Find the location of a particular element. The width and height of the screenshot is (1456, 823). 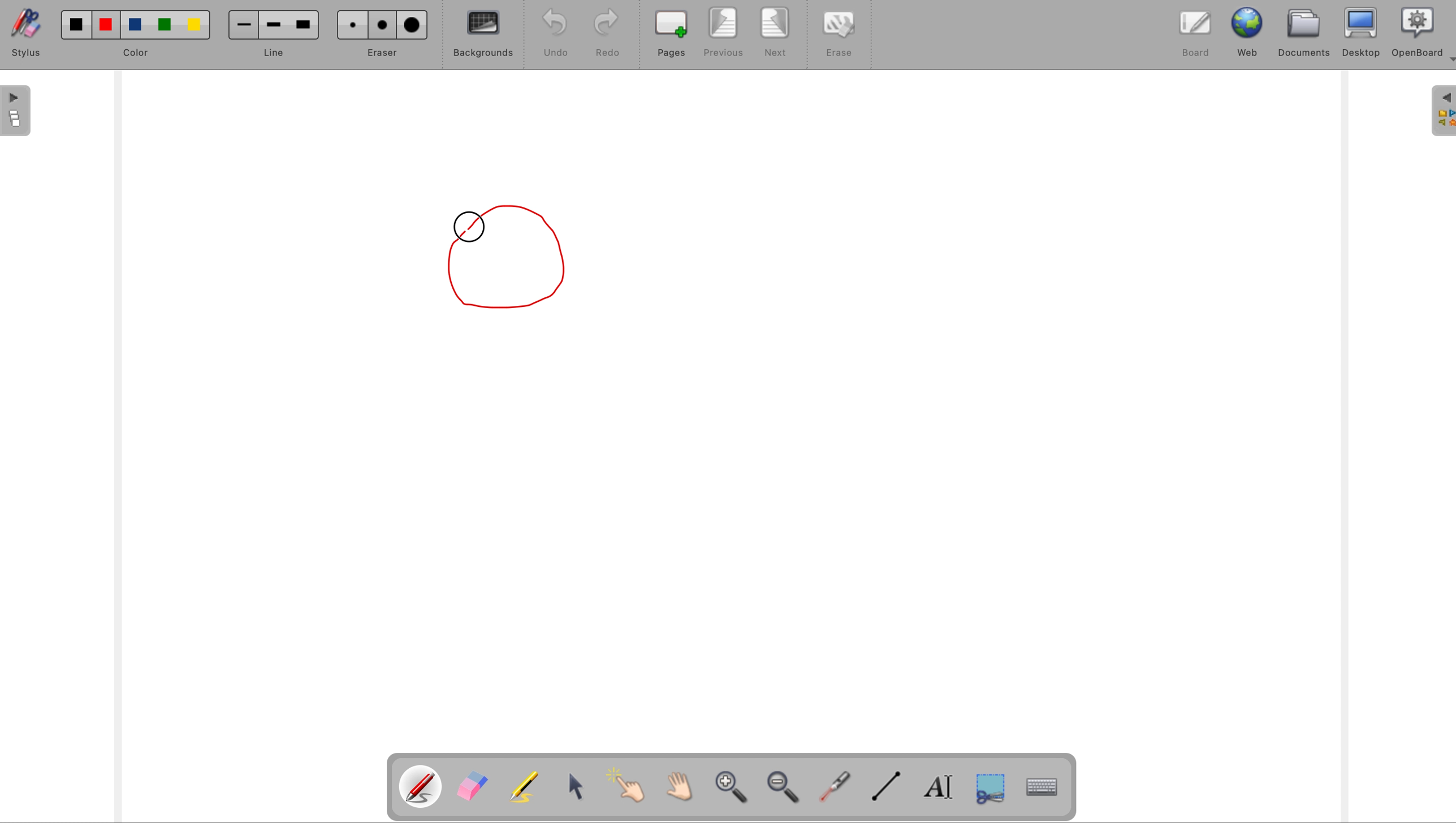

interact with items is located at coordinates (627, 787).